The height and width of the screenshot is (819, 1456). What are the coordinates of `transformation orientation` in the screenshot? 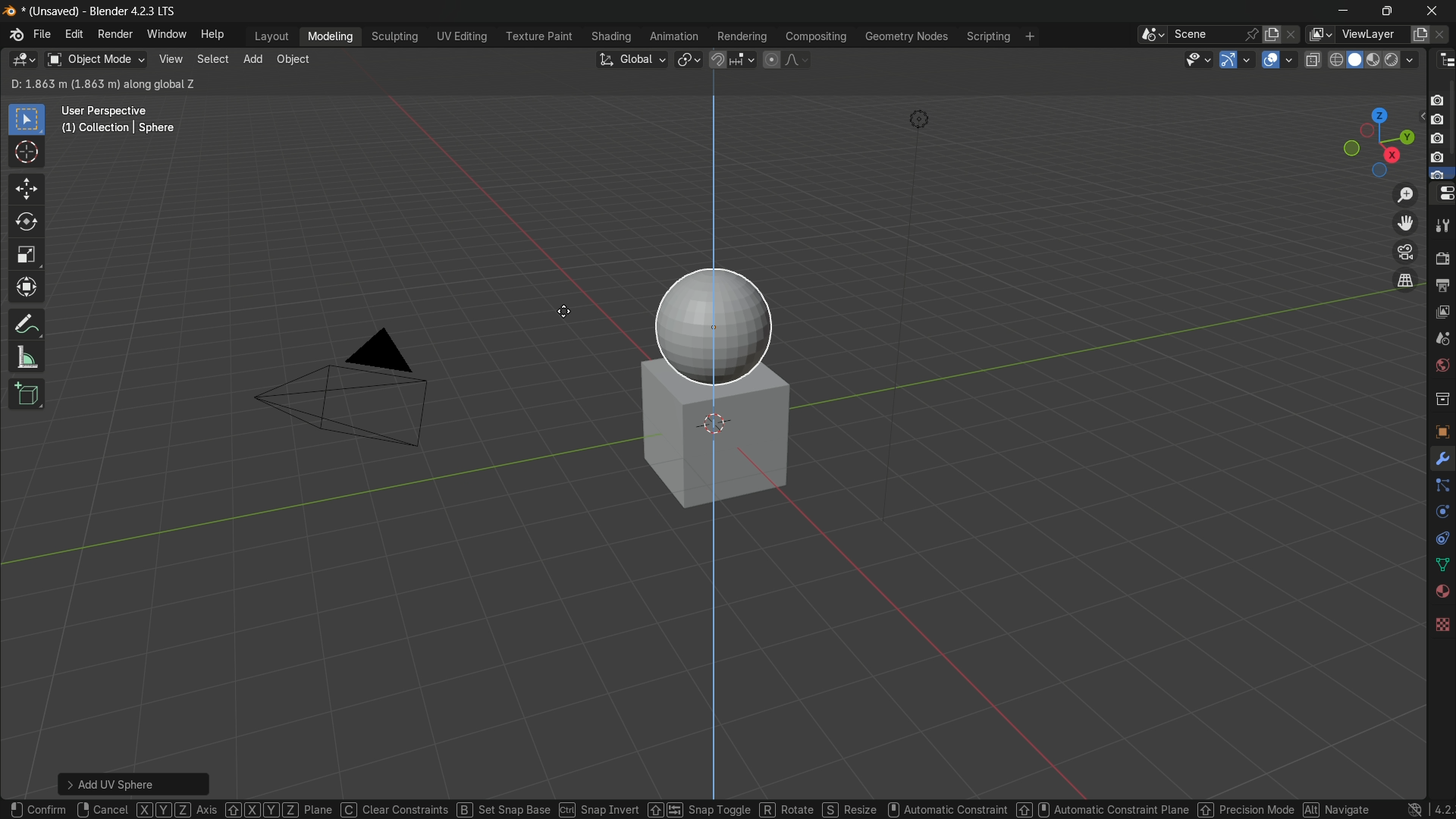 It's located at (632, 59).